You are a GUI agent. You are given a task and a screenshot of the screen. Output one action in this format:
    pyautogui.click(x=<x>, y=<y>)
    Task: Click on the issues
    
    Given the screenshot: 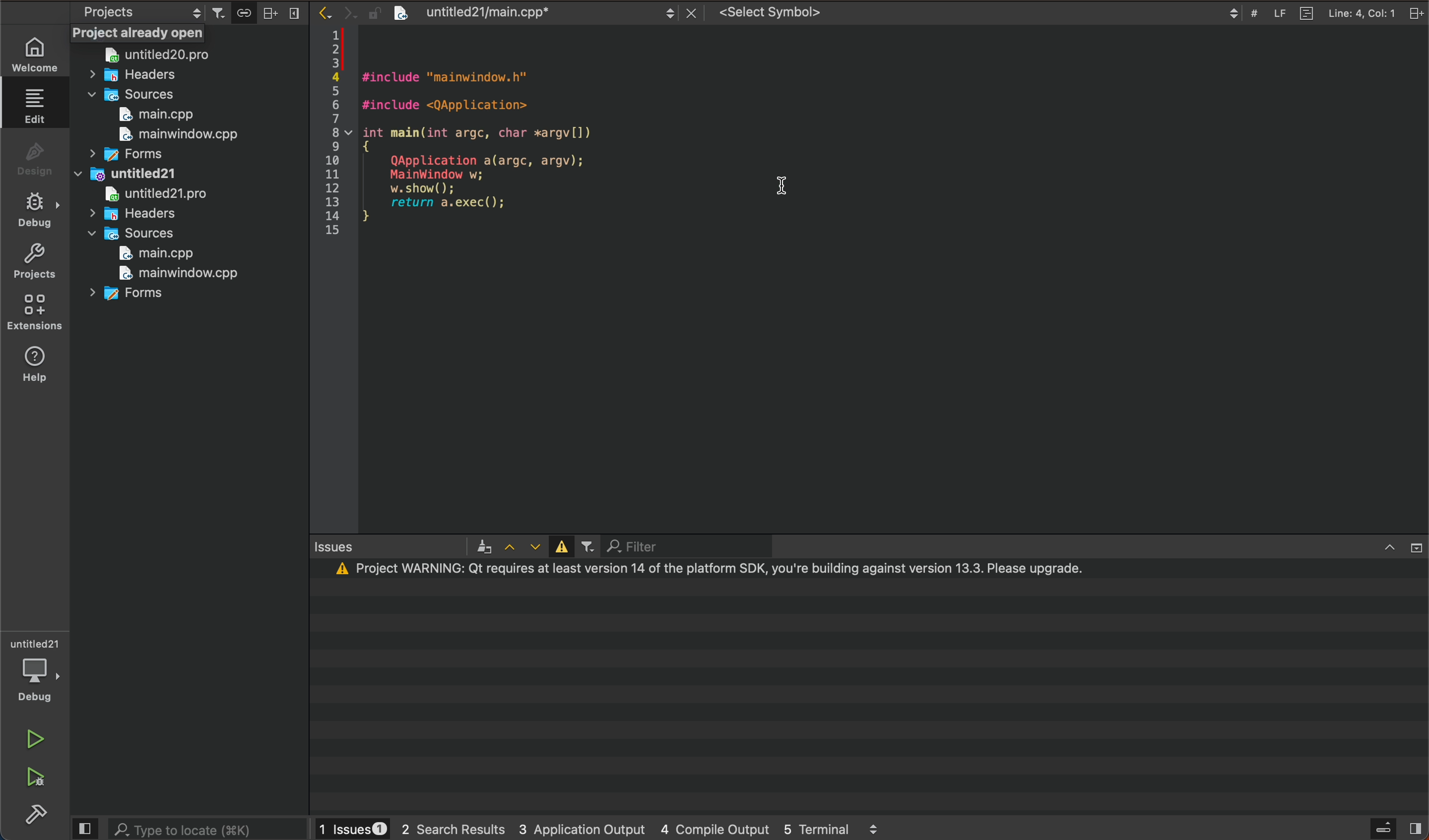 What is the action you would take?
    pyautogui.click(x=391, y=545)
    